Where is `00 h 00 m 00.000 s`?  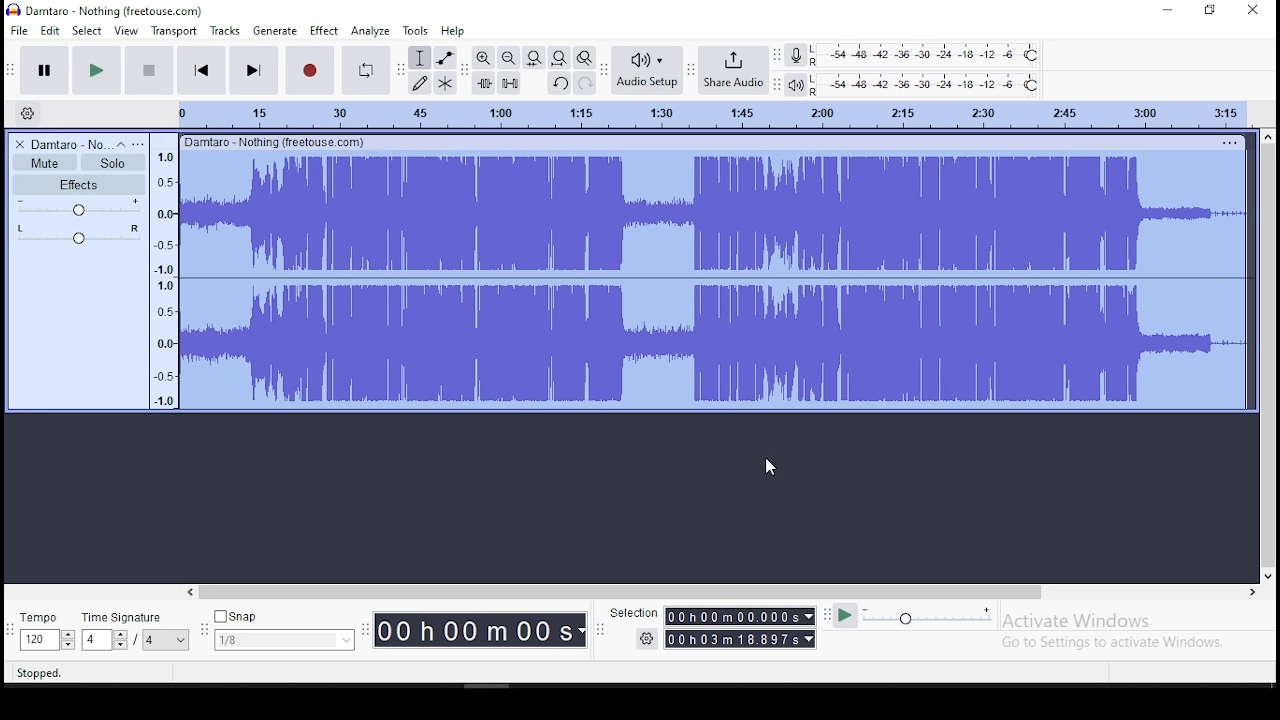 00 h 00 m 00.000 s is located at coordinates (741, 638).